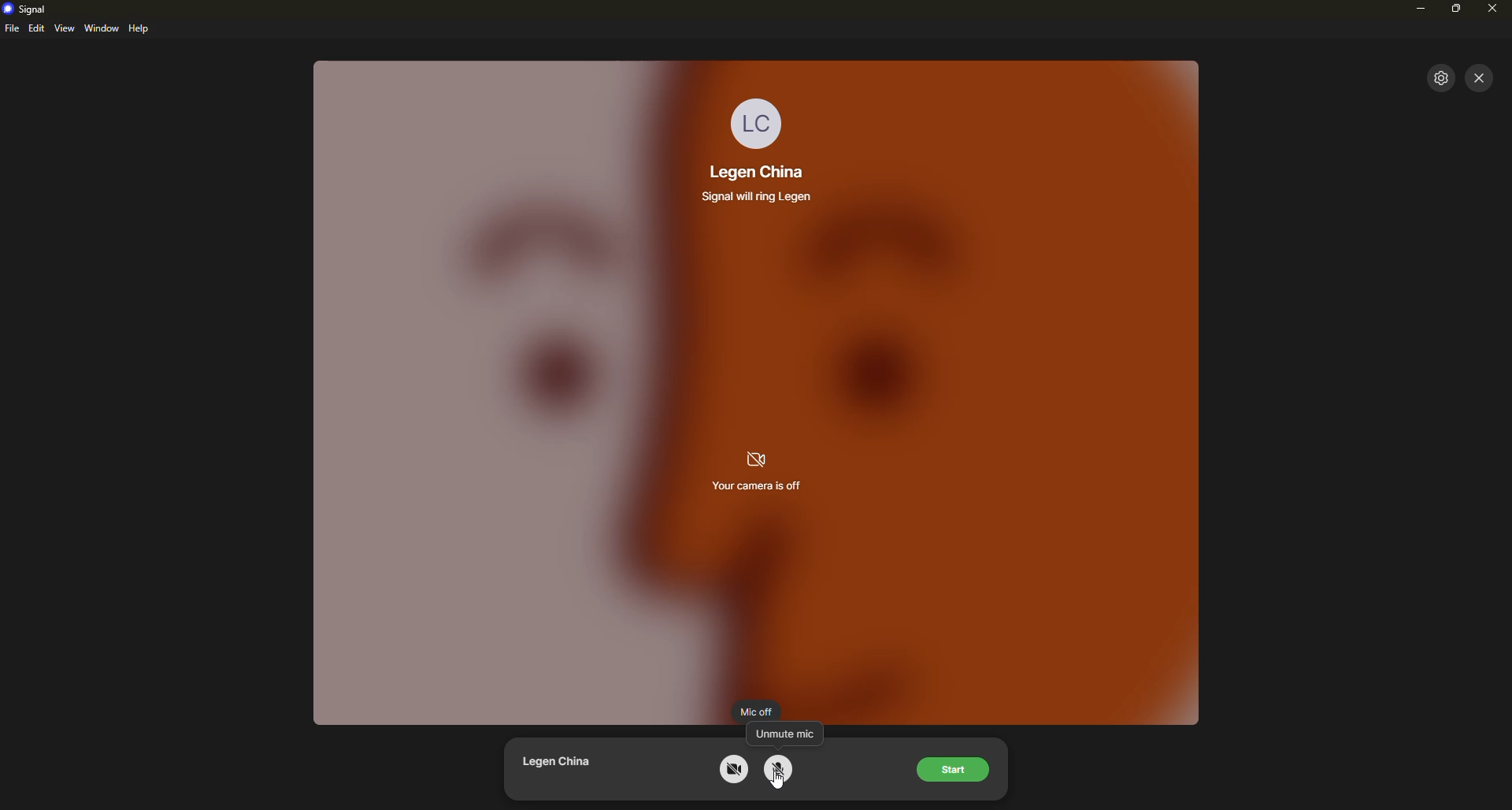 Image resolution: width=1512 pixels, height=810 pixels. I want to click on profile pic, so click(758, 121).